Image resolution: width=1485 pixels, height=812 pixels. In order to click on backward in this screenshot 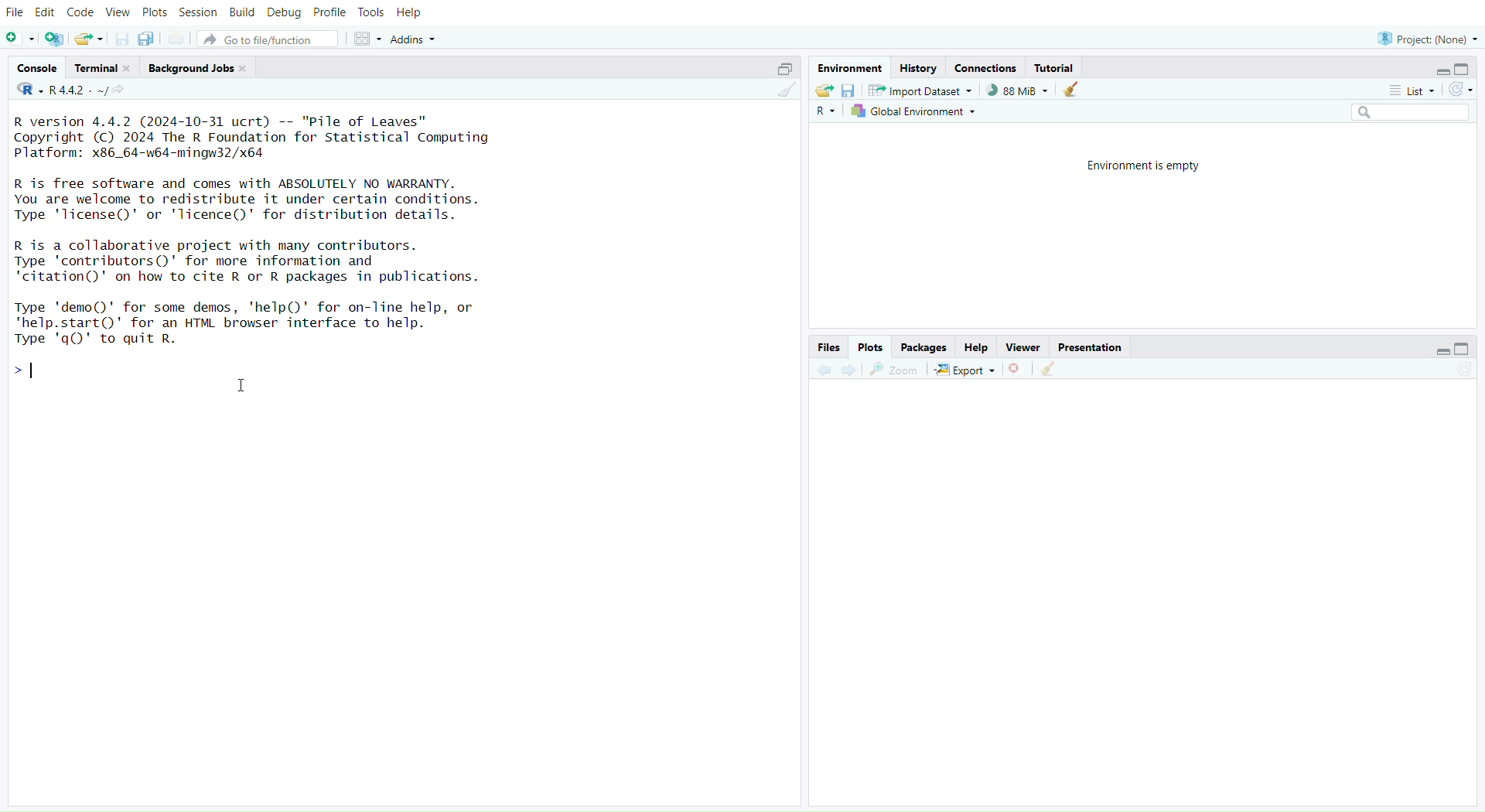, I will do `click(824, 370)`.